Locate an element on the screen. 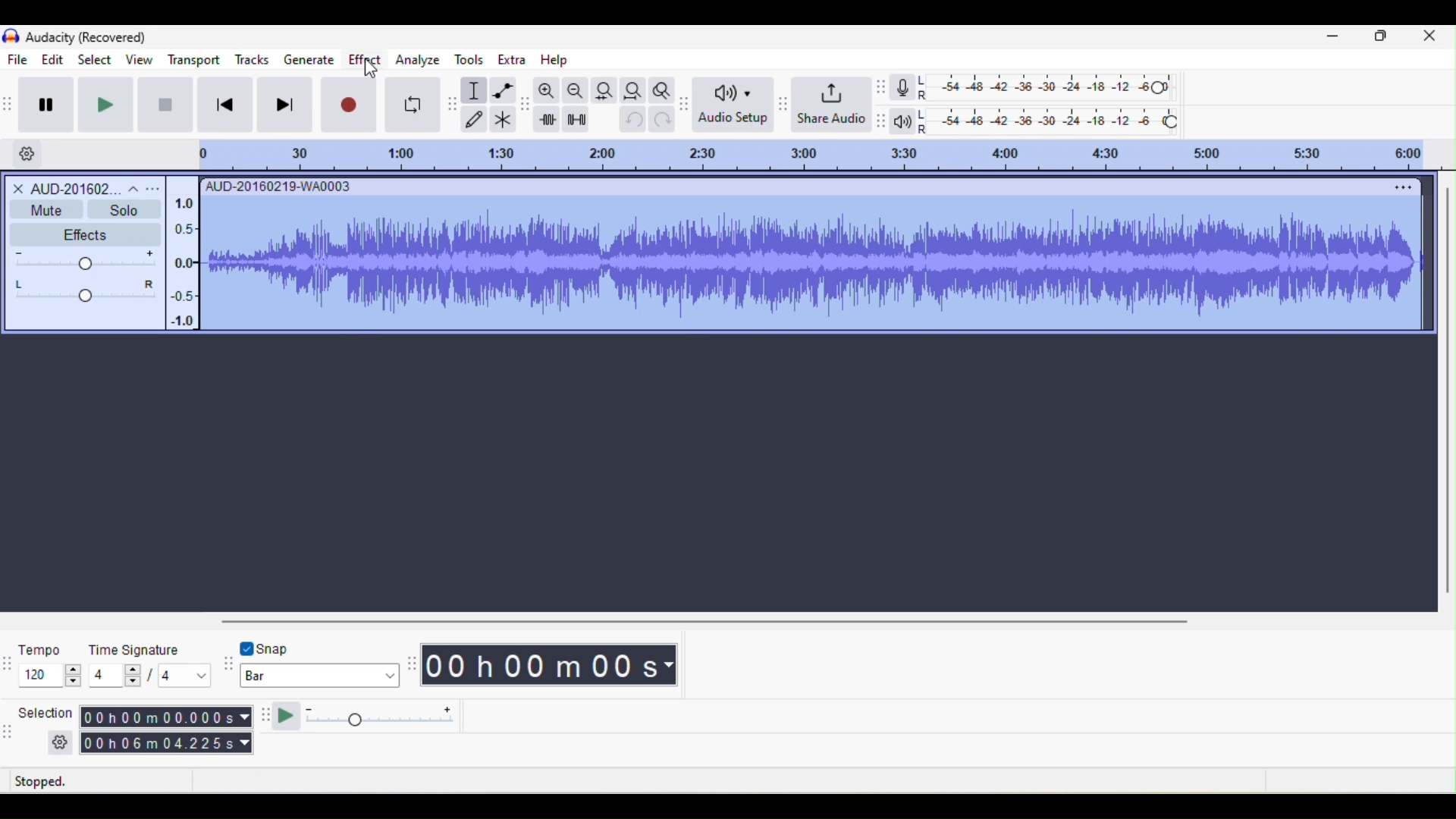 This screenshot has width=1456, height=819. fit project to width is located at coordinates (634, 87).